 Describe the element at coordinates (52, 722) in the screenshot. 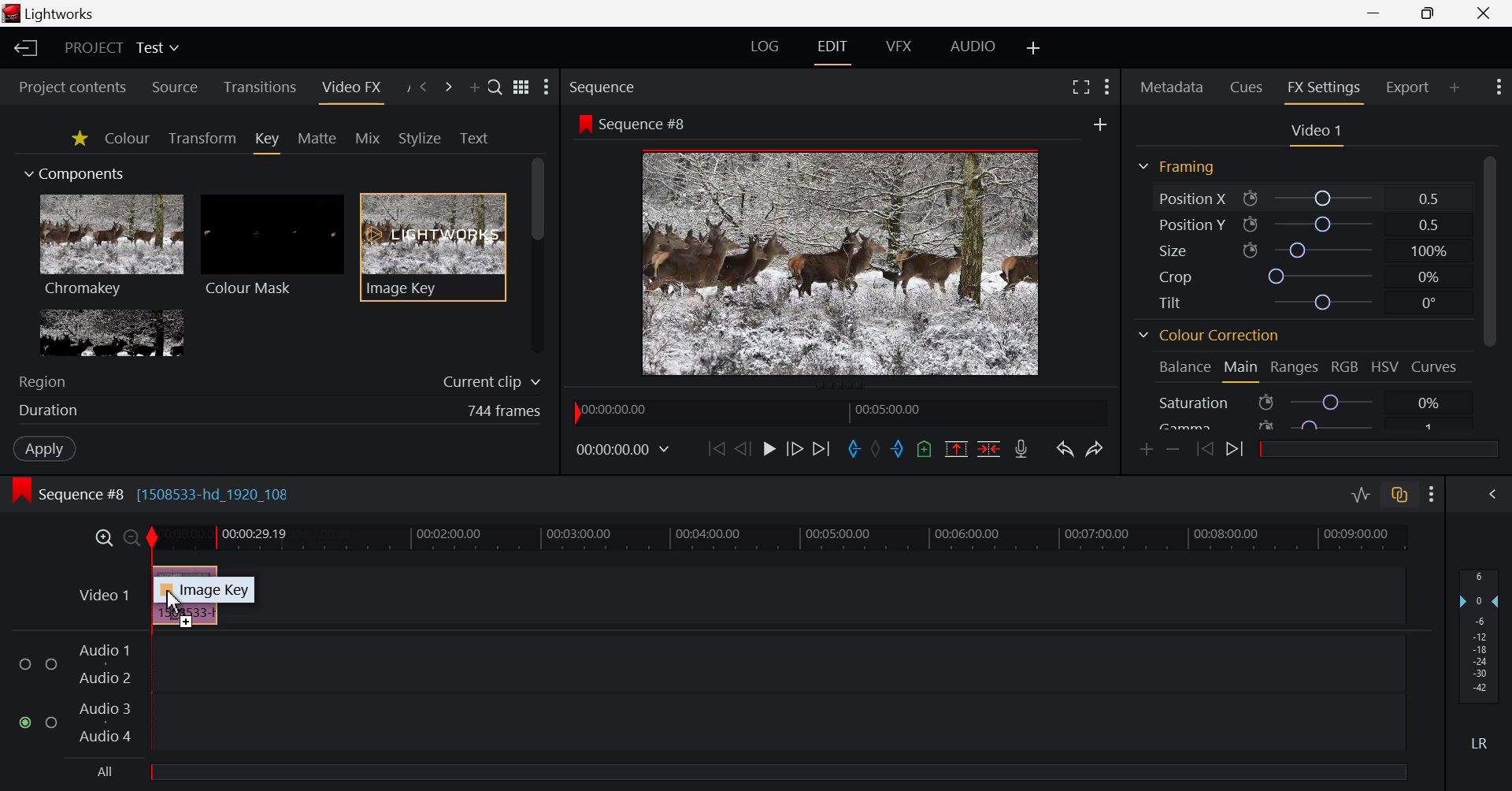

I see `checkbox` at that location.